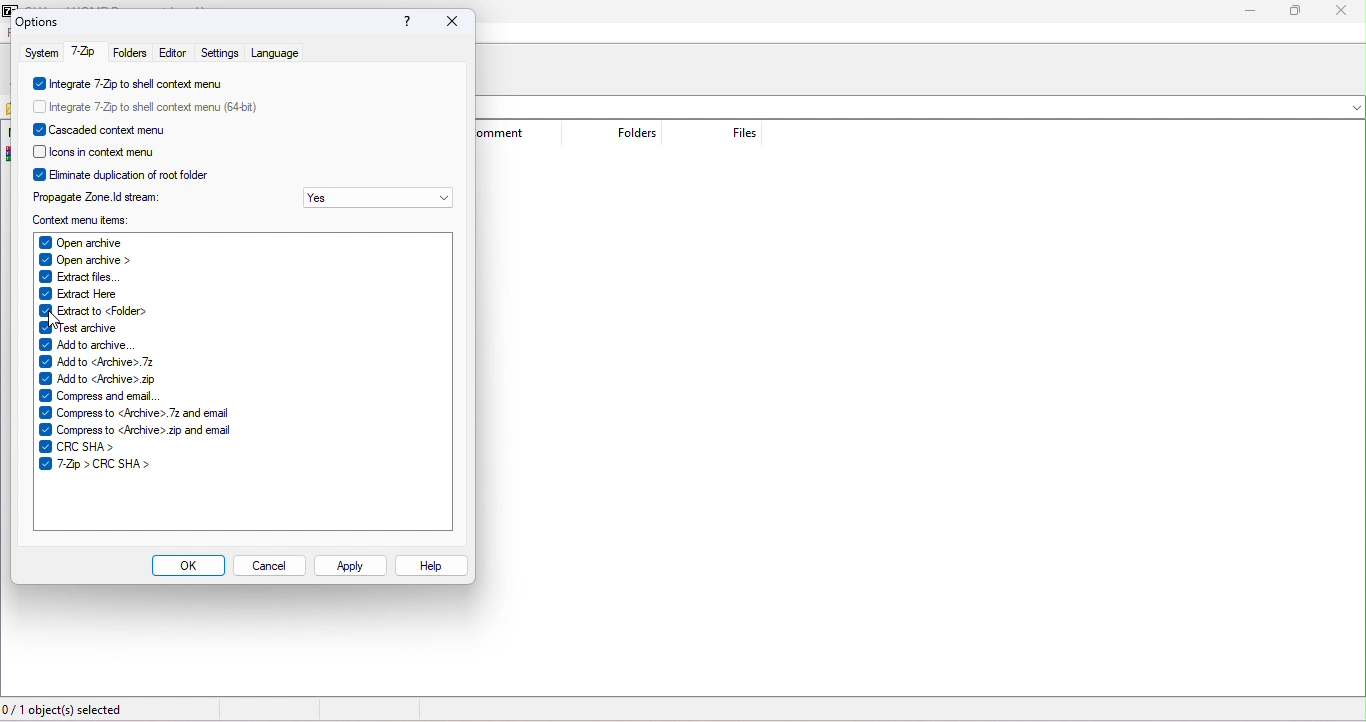 The height and width of the screenshot is (722, 1366). What do you see at coordinates (38, 52) in the screenshot?
I see `system` at bounding box center [38, 52].